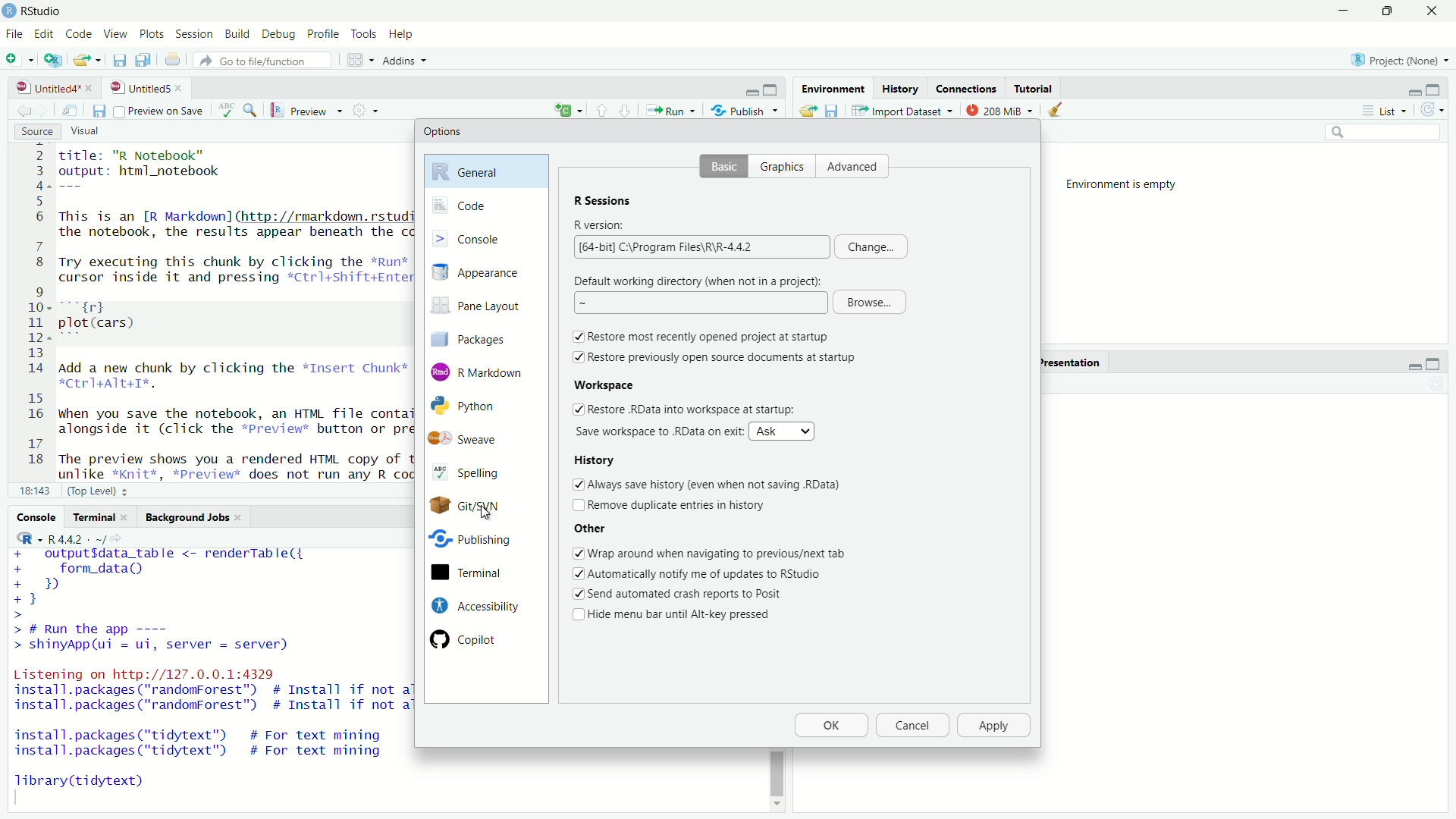  What do you see at coordinates (807, 110) in the screenshot?
I see `Load WorSpace` at bounding box center [807, 110].